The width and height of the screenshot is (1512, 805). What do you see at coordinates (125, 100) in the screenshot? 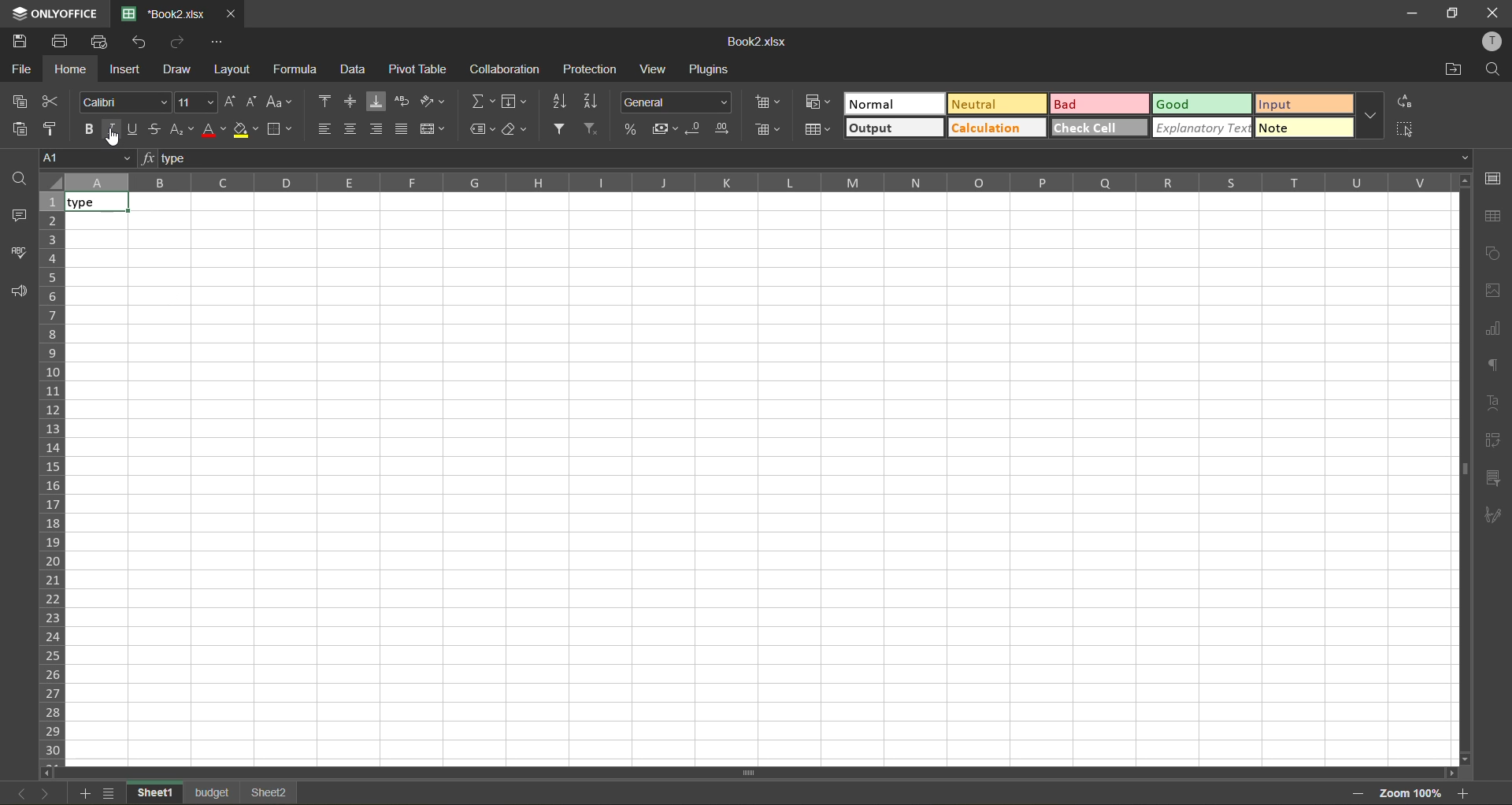
I see `font style` at bounding box center [125, 100].